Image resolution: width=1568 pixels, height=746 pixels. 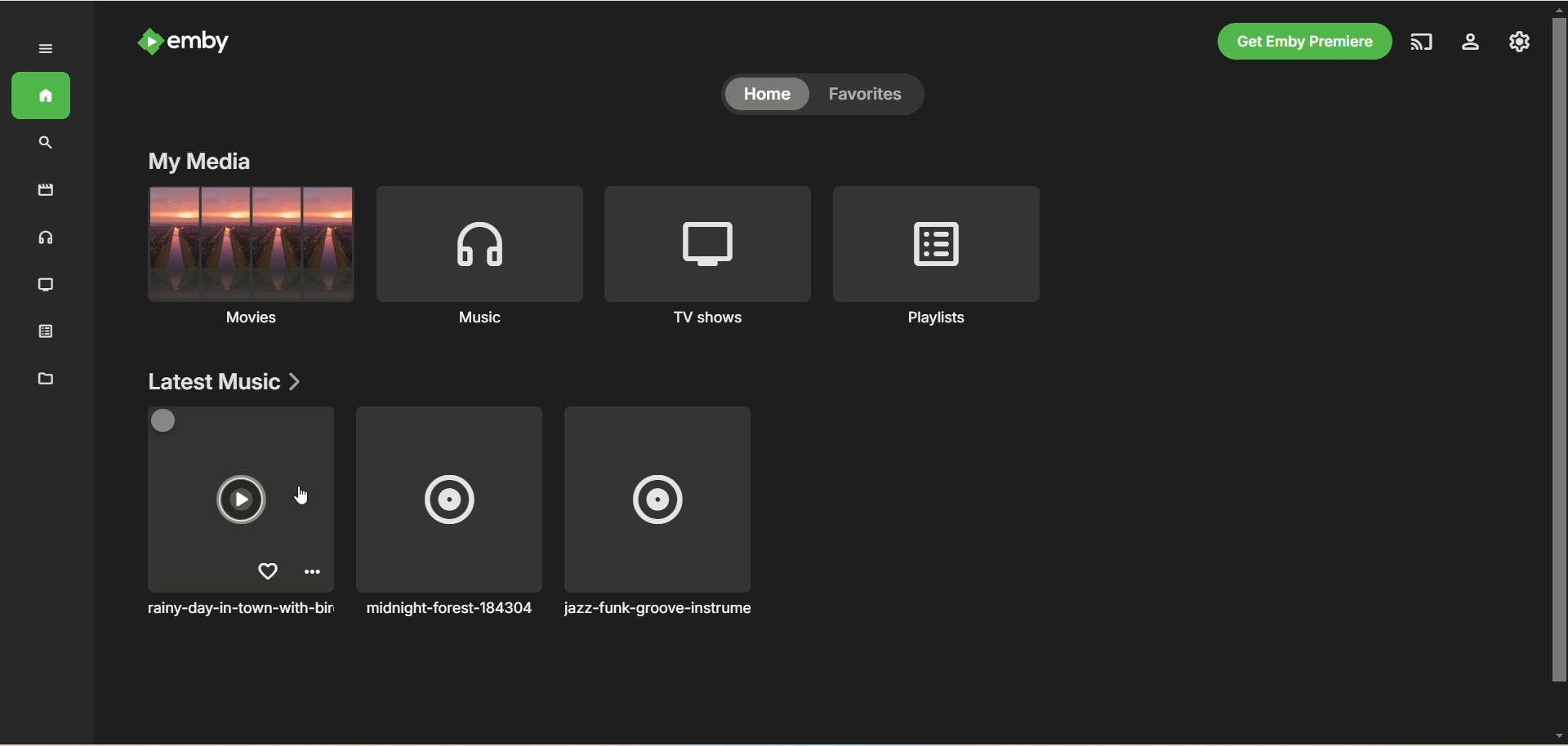 I want to click on Movies, so click(x=247, y=254).